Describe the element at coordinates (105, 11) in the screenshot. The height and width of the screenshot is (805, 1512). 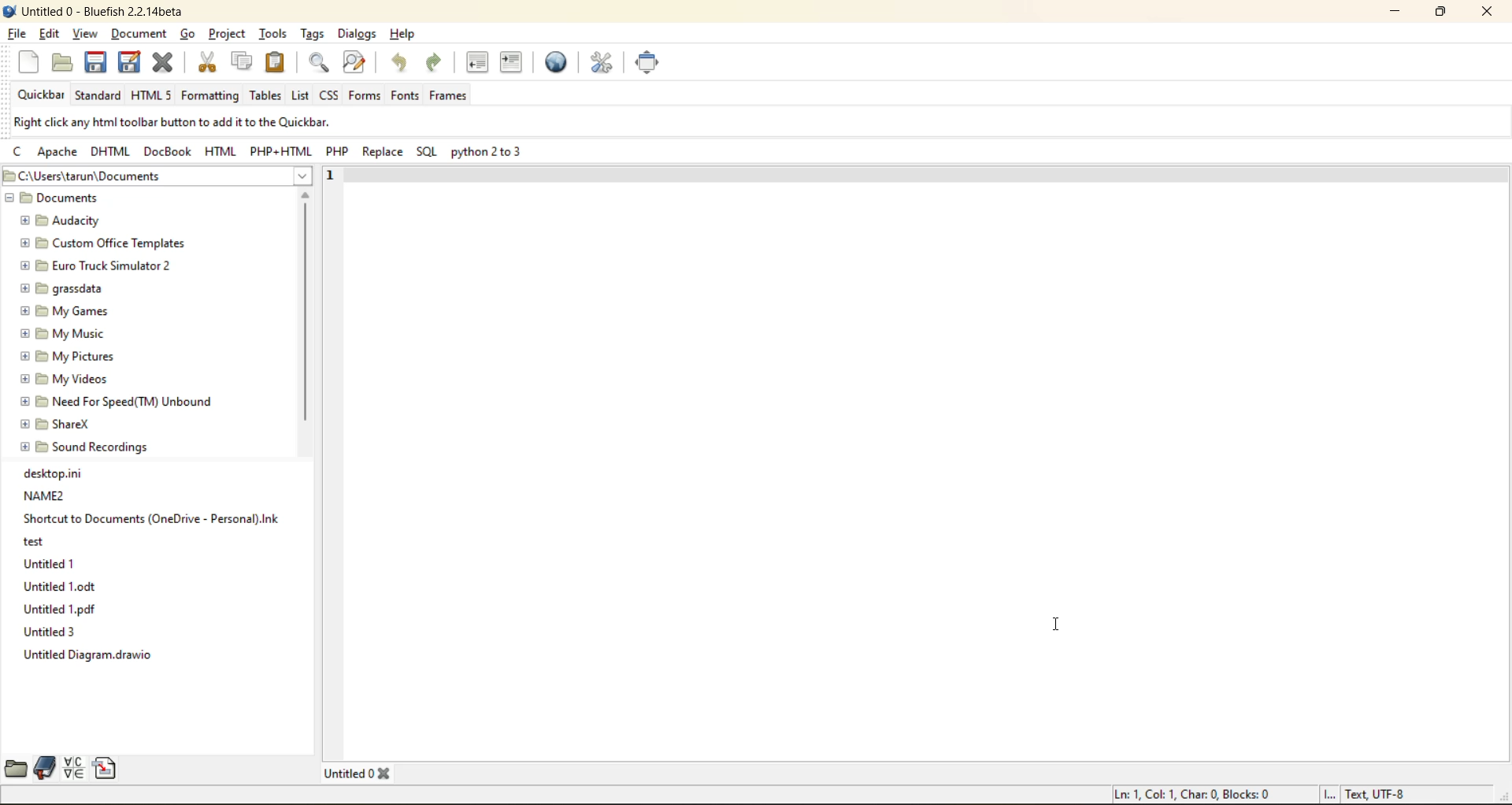
I see `file name and app name` at that location.